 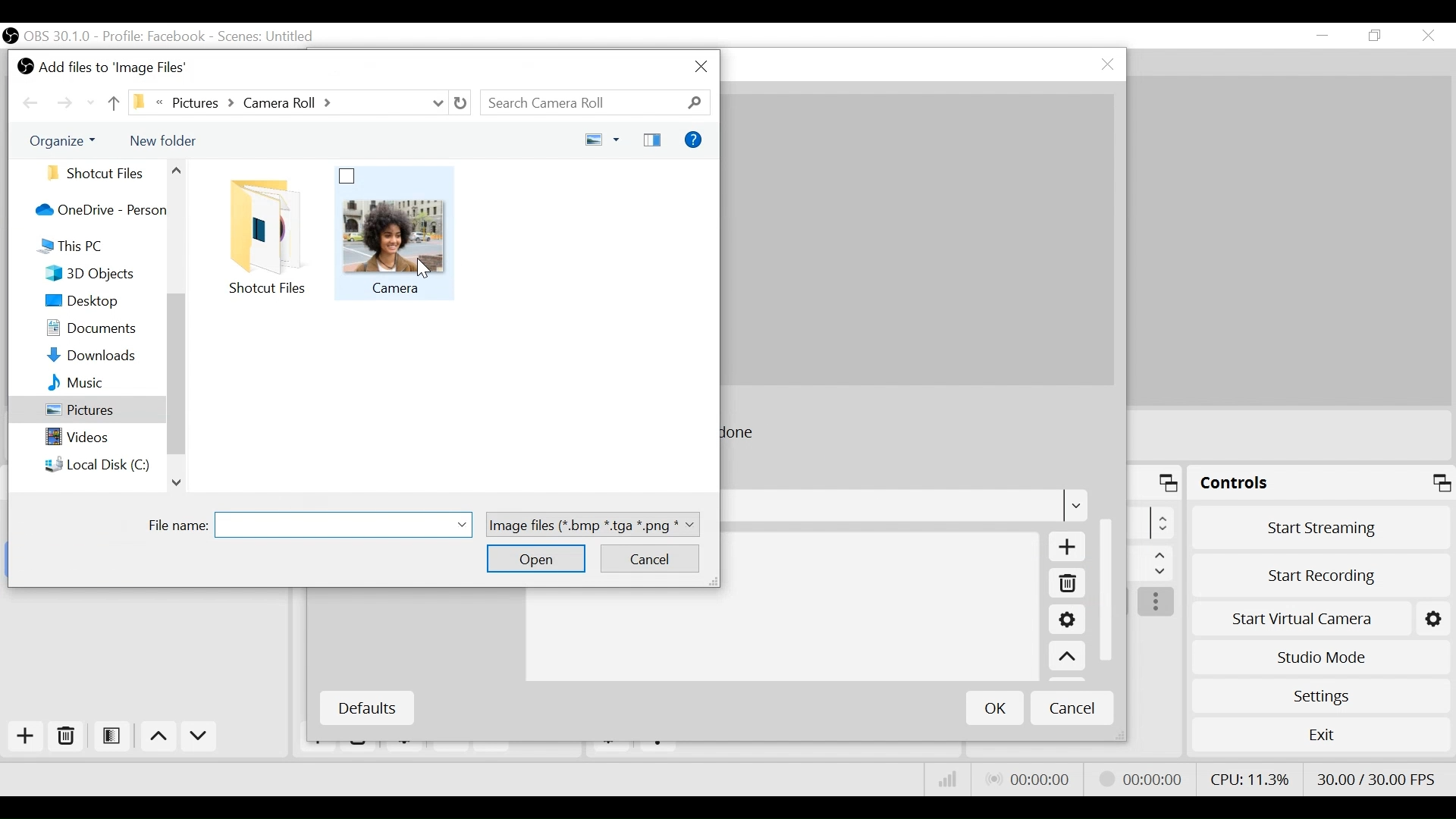 I want to click on Search, so click(x=595, y=104).